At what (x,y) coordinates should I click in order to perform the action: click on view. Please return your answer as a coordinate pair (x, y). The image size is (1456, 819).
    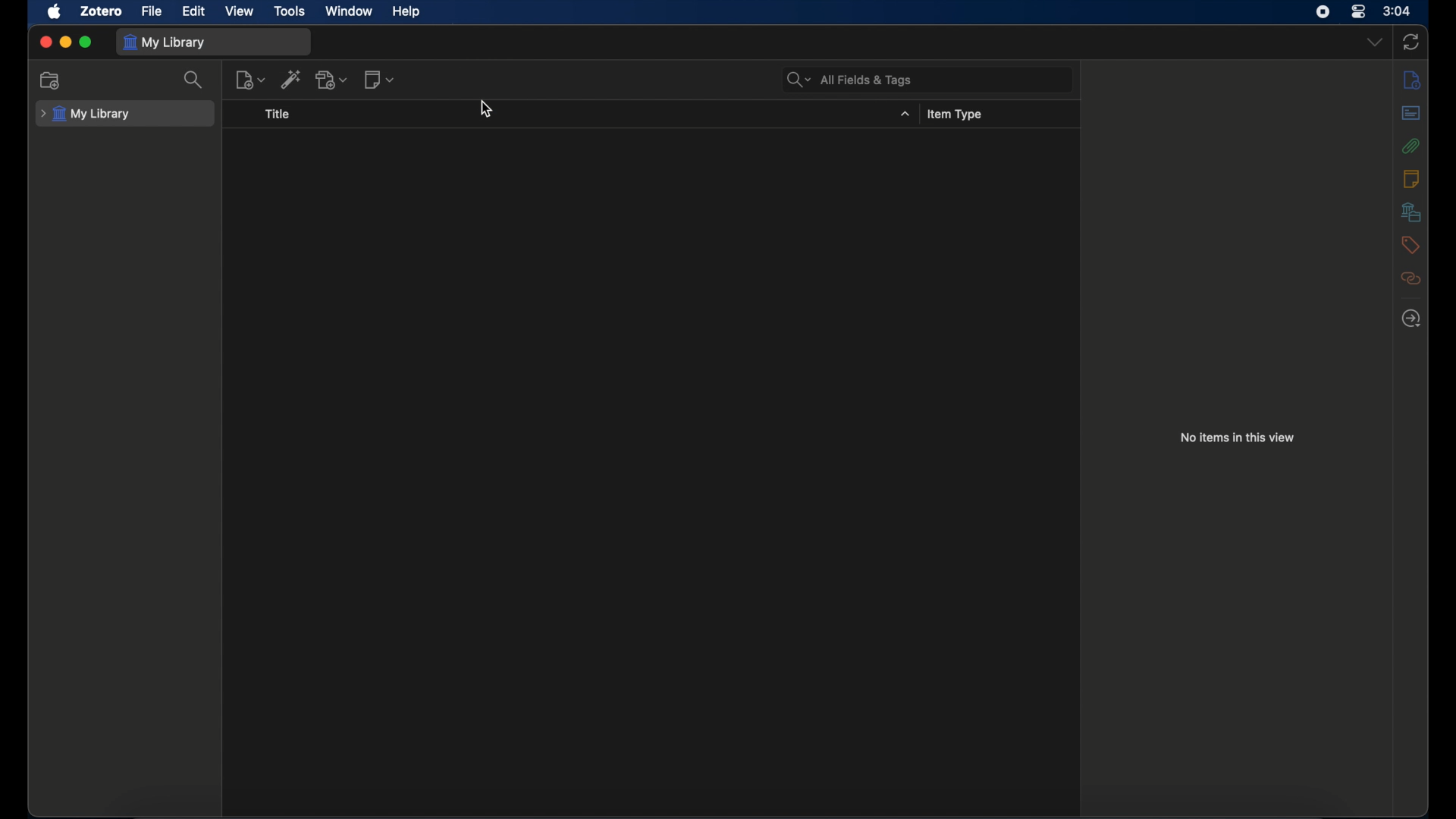
    Looking at the image, I should click on (241, 11).